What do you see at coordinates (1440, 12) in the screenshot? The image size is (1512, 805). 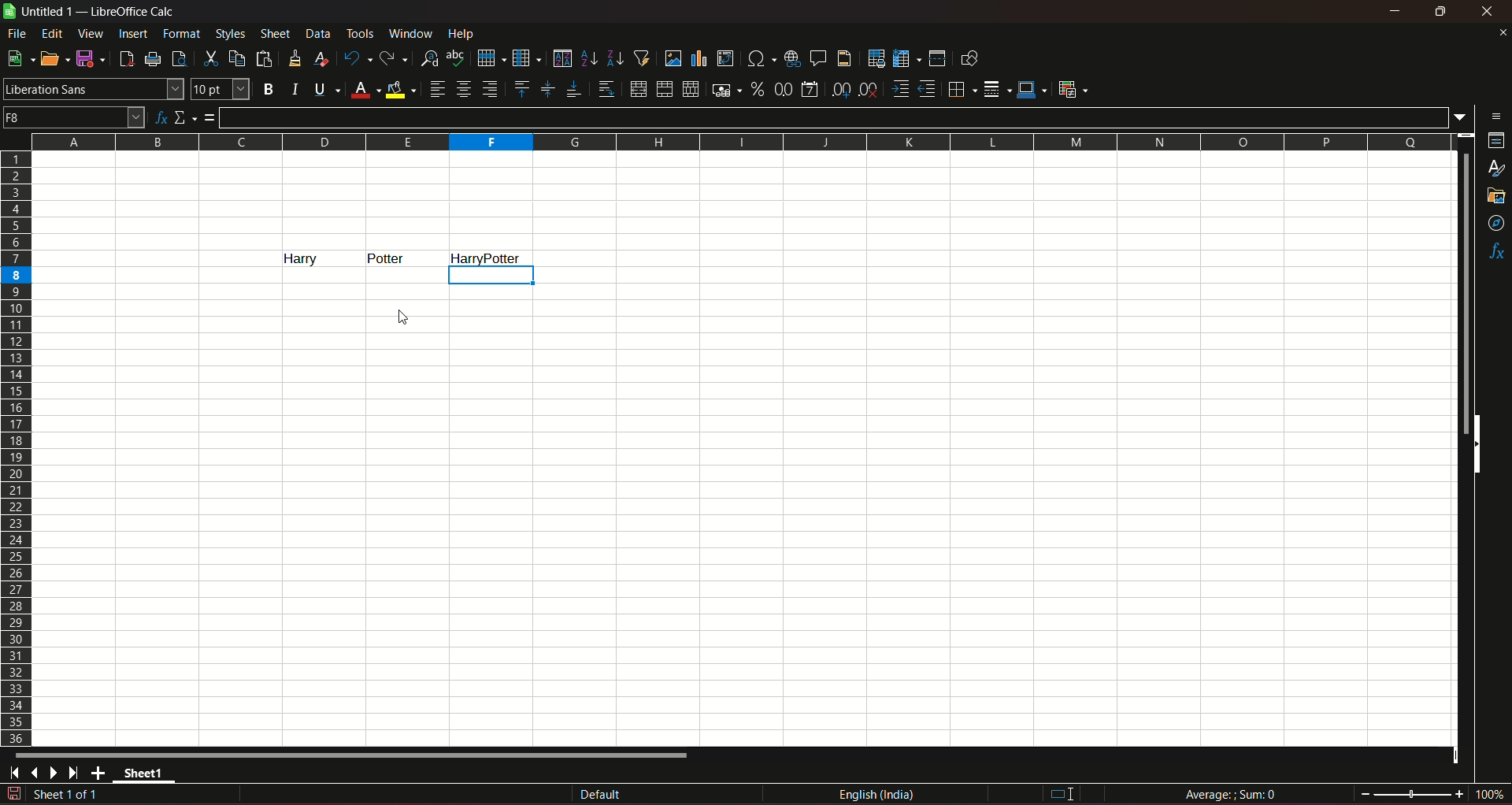 I see `minimize & maximize` at bounding box center [1440, 12].